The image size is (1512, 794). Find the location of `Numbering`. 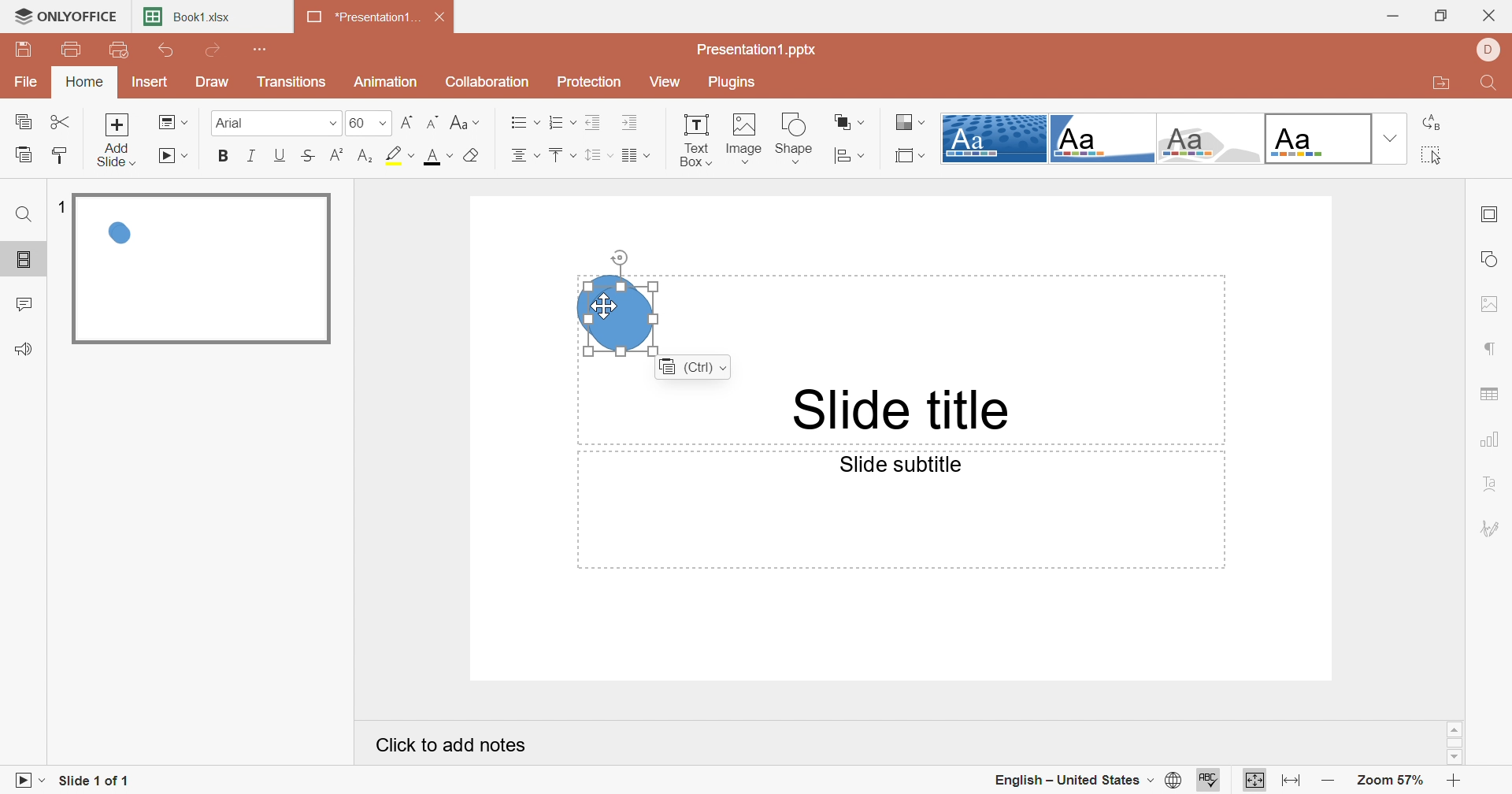

Numbering is located at coordinates (561, 121).